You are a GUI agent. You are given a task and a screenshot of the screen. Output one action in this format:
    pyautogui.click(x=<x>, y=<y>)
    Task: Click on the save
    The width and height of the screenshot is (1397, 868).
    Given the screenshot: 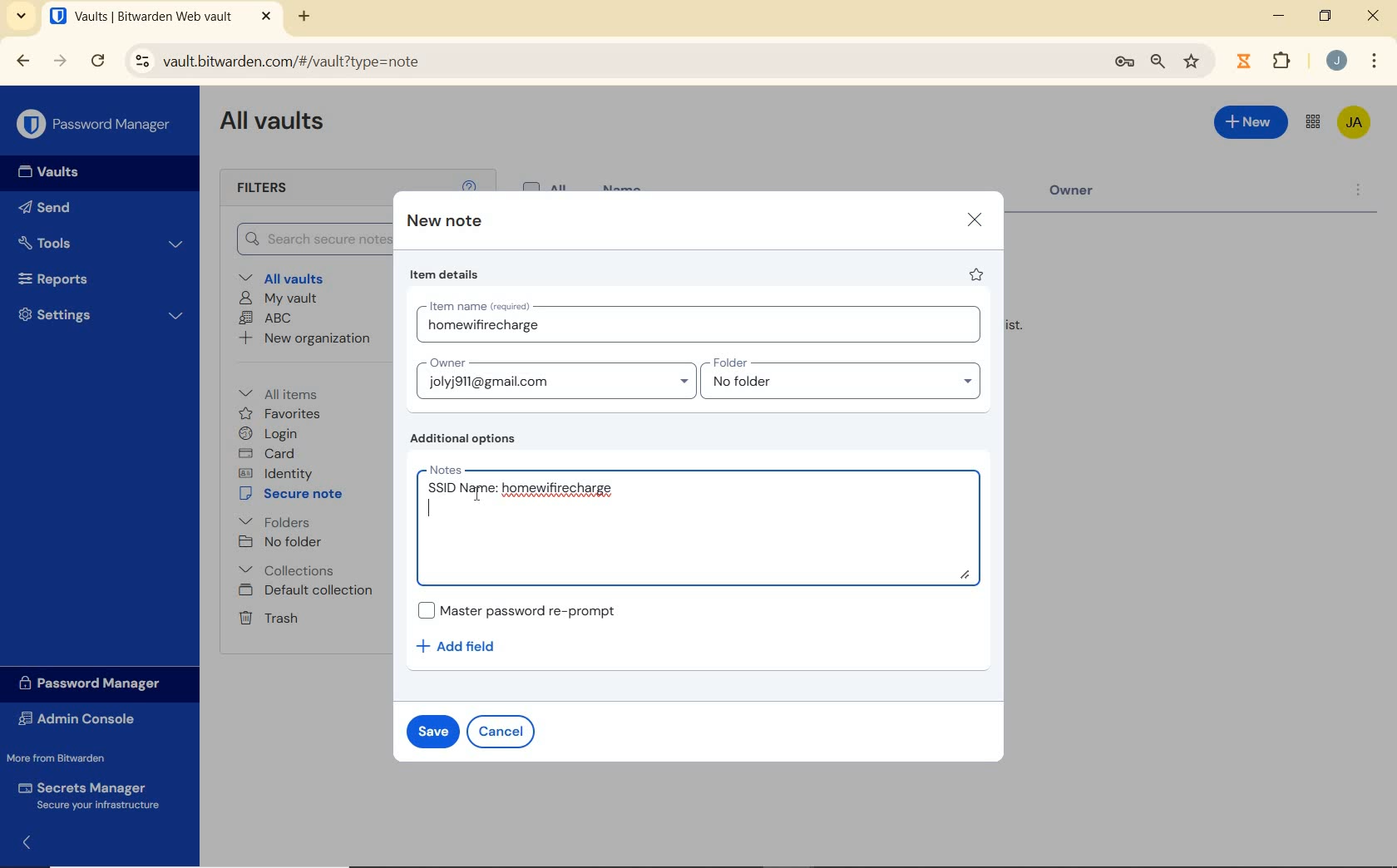 What is the action you would take?
    pyautogui.click(x=432, y=730)
    